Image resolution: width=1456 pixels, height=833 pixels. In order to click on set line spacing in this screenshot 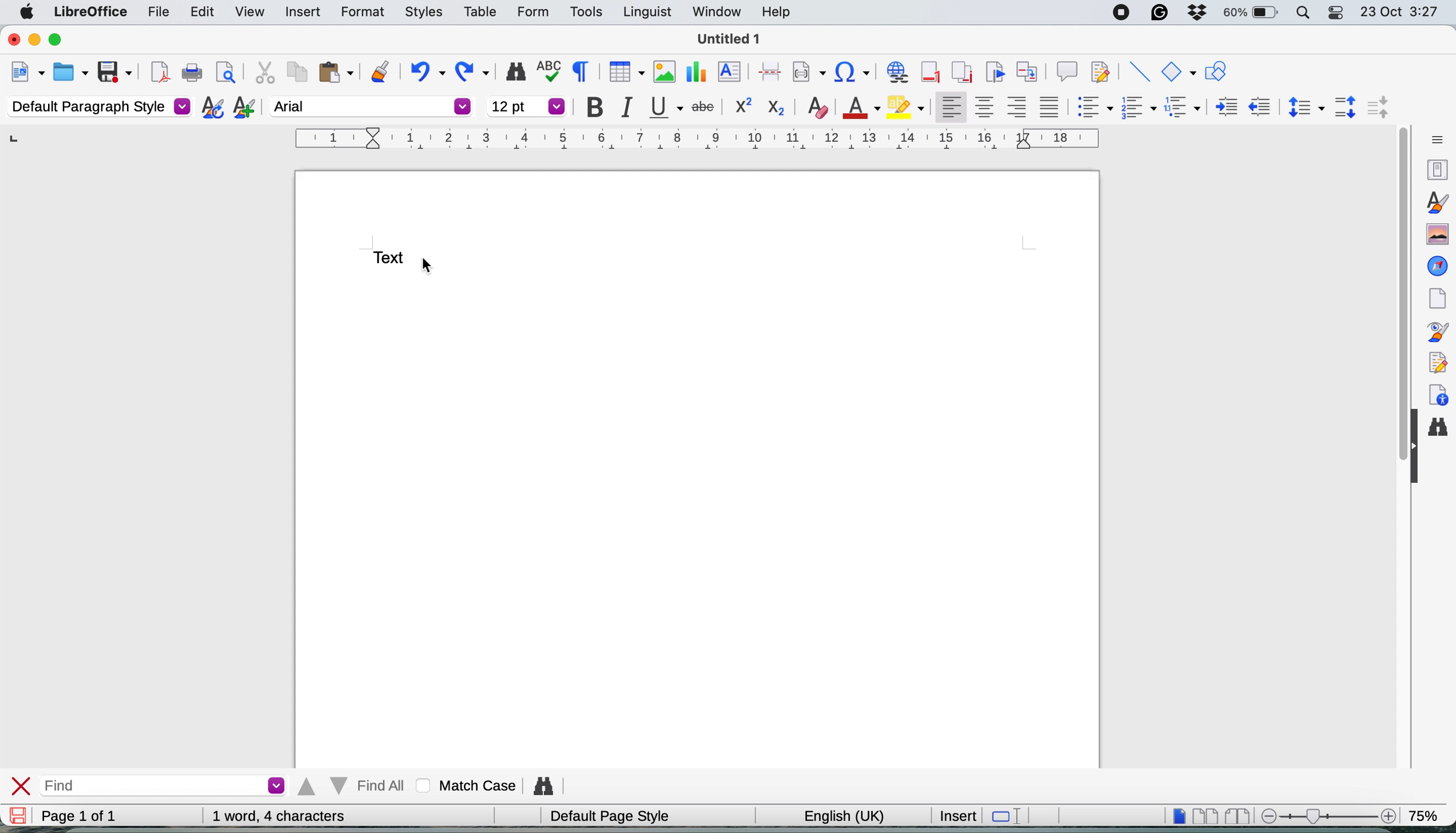, I will do `click(1304, 107)`.